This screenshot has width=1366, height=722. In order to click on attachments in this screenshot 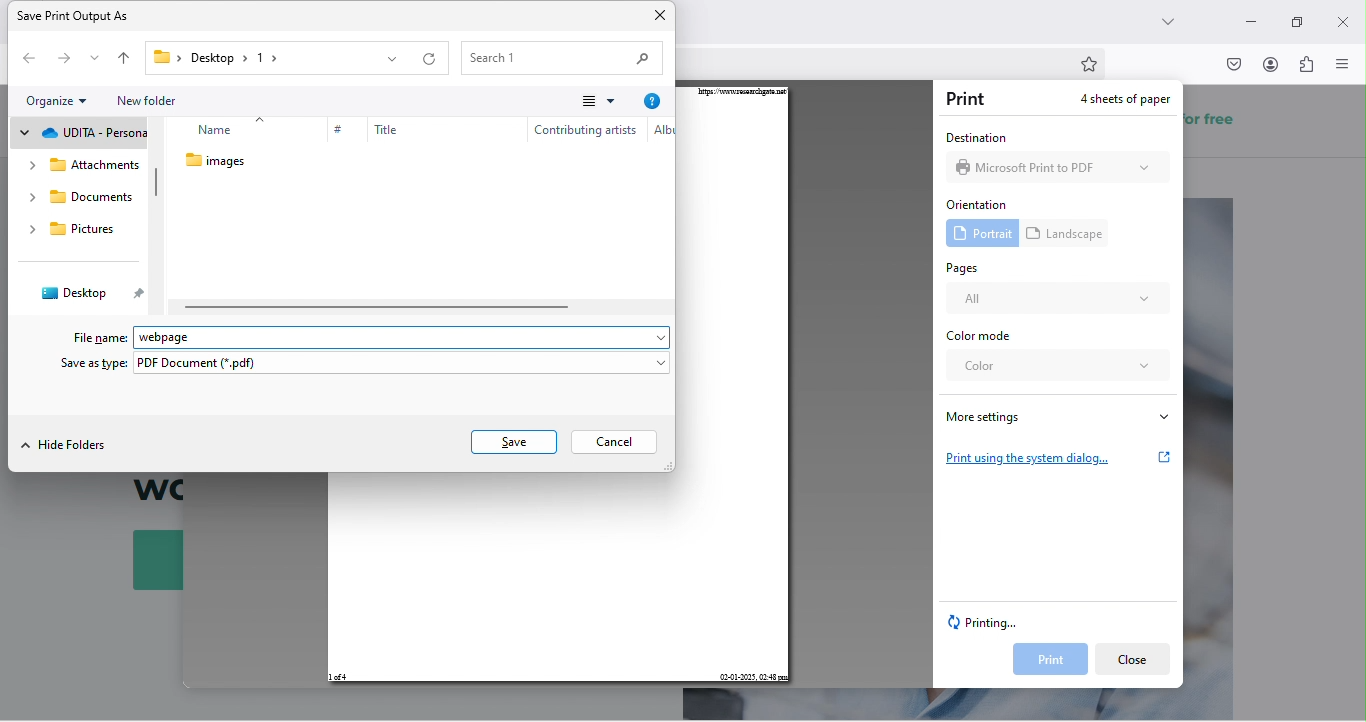, I will do `click(78, 199)`.